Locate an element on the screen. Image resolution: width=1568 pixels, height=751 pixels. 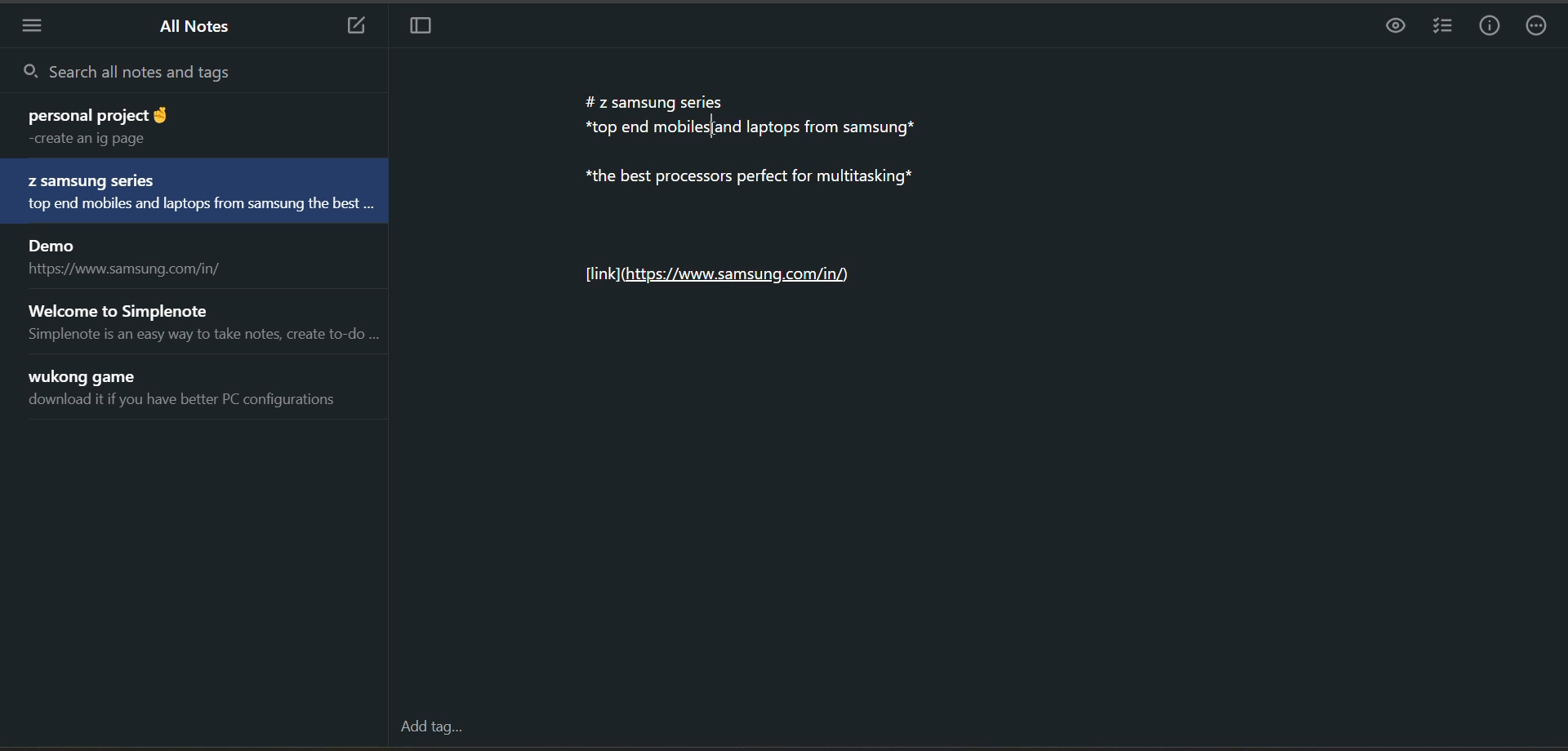
actions is located at coordinates (1538, 29).